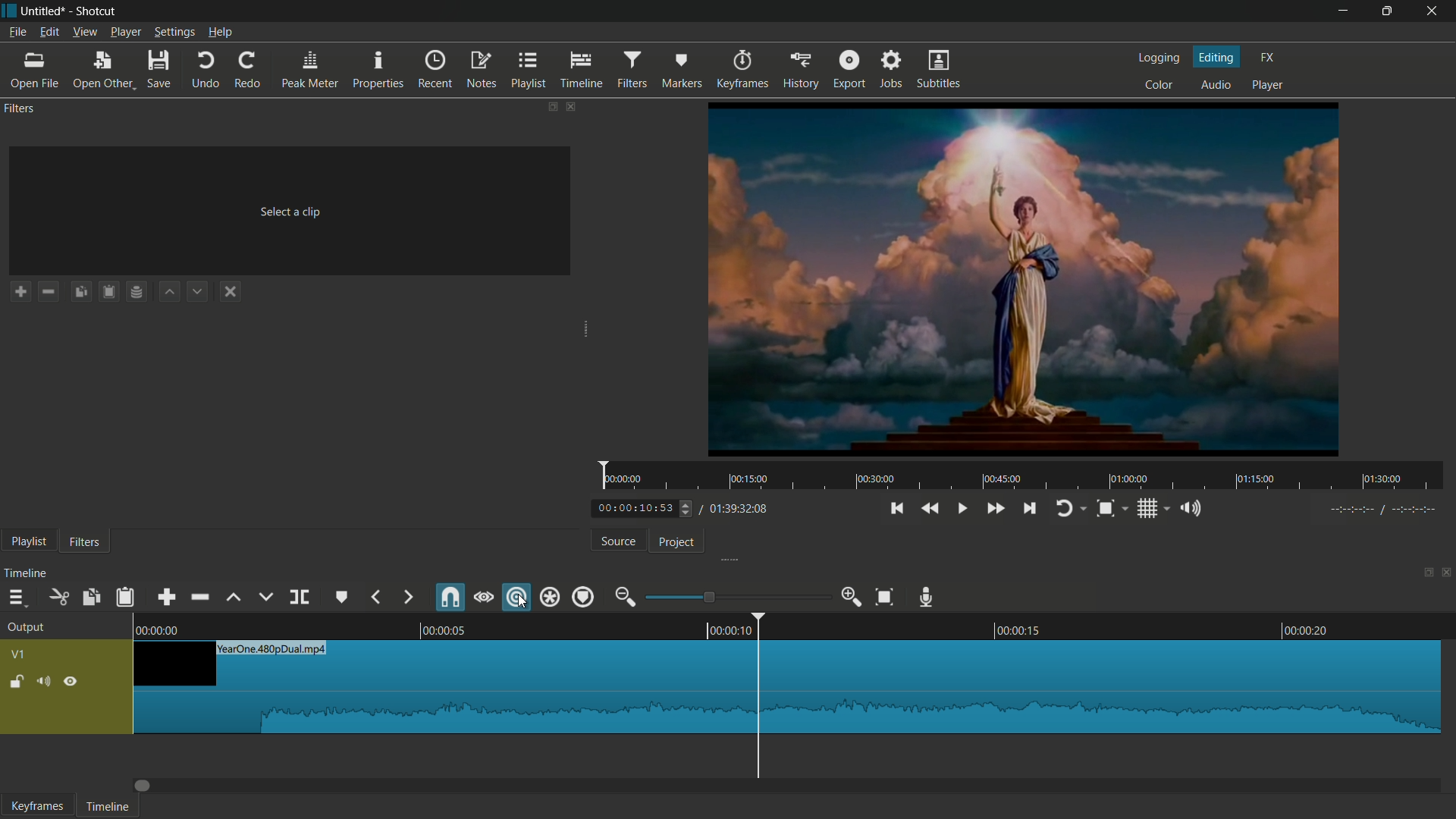  I want to click on notes, so click(482, 70).